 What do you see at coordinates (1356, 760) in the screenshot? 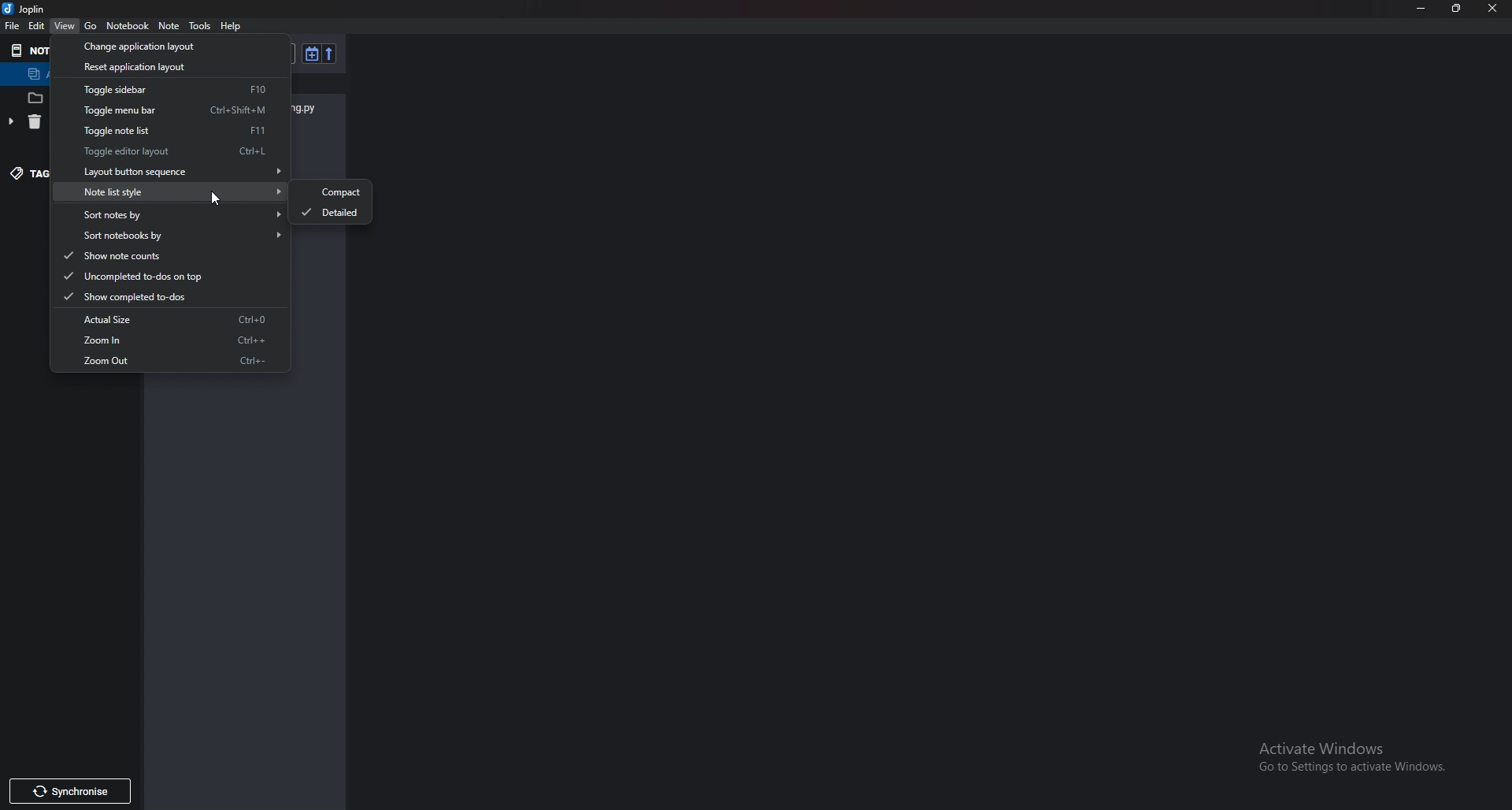
I see `activate windows` at bounding box center [1356, 760].